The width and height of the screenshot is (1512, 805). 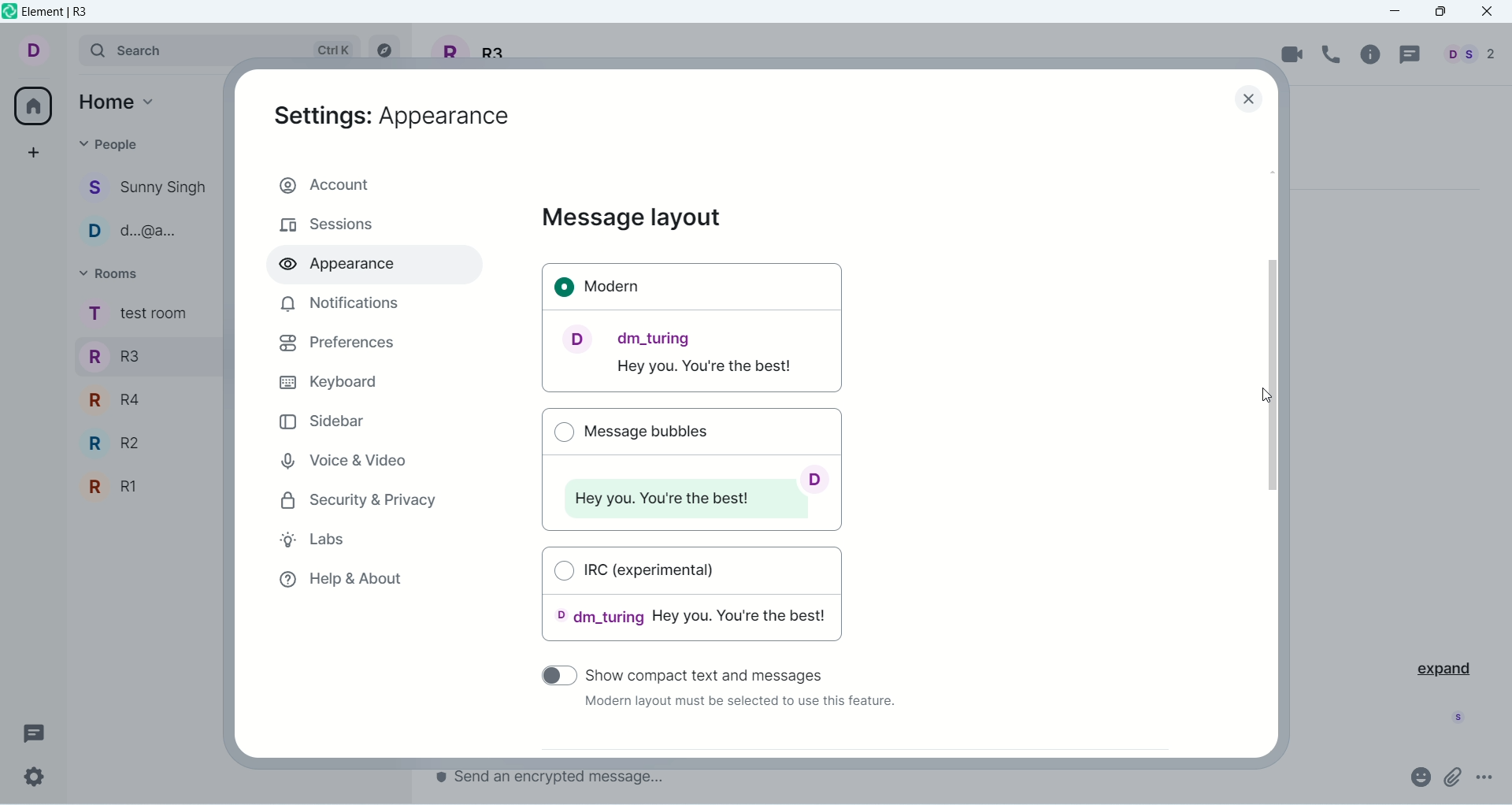 What do you see at coordinates (112, 273) in the screenshot?
I see `rooms` at bounding box center [112, 273].